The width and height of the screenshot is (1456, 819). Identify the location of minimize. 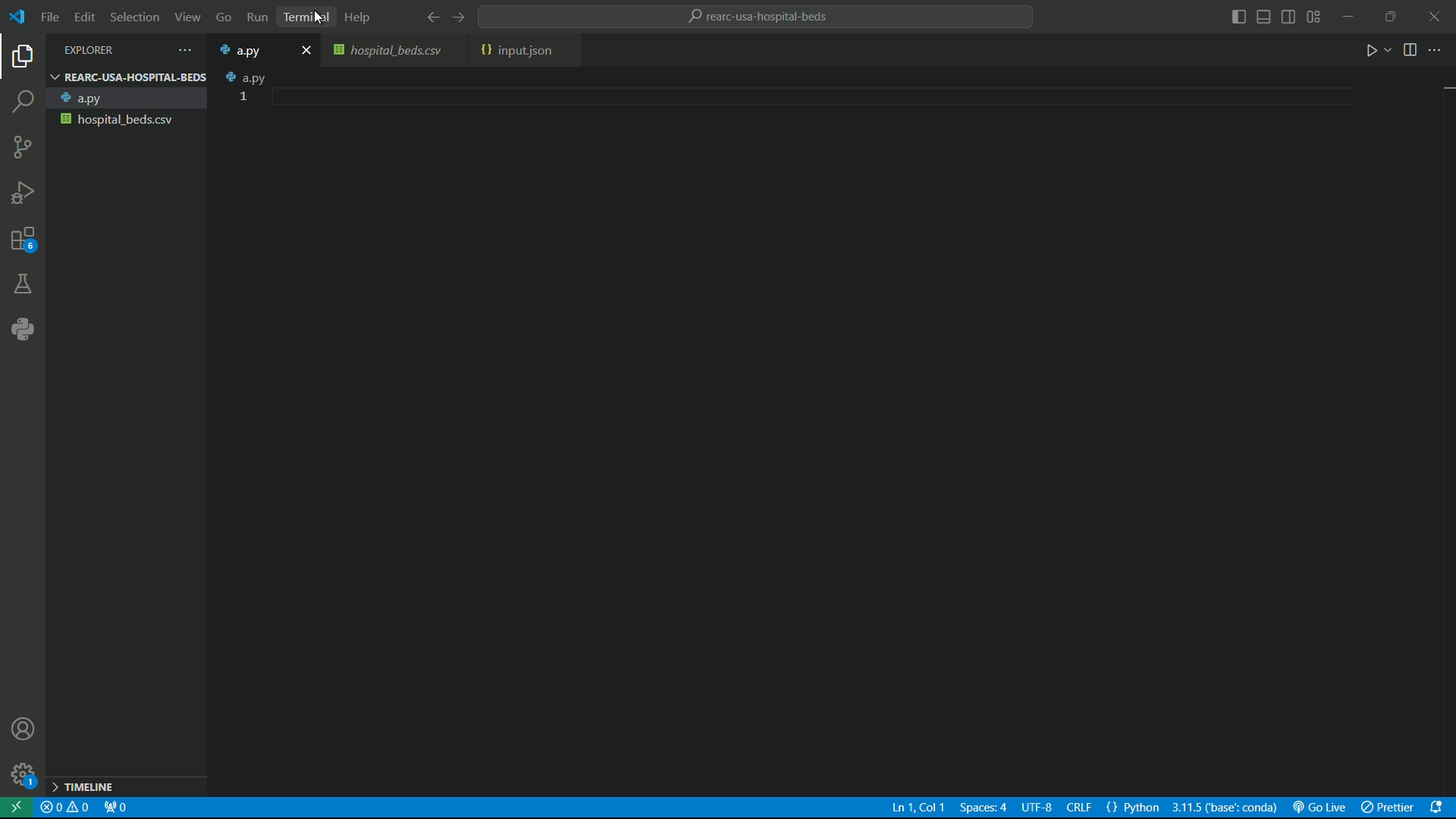
(1351, 17).